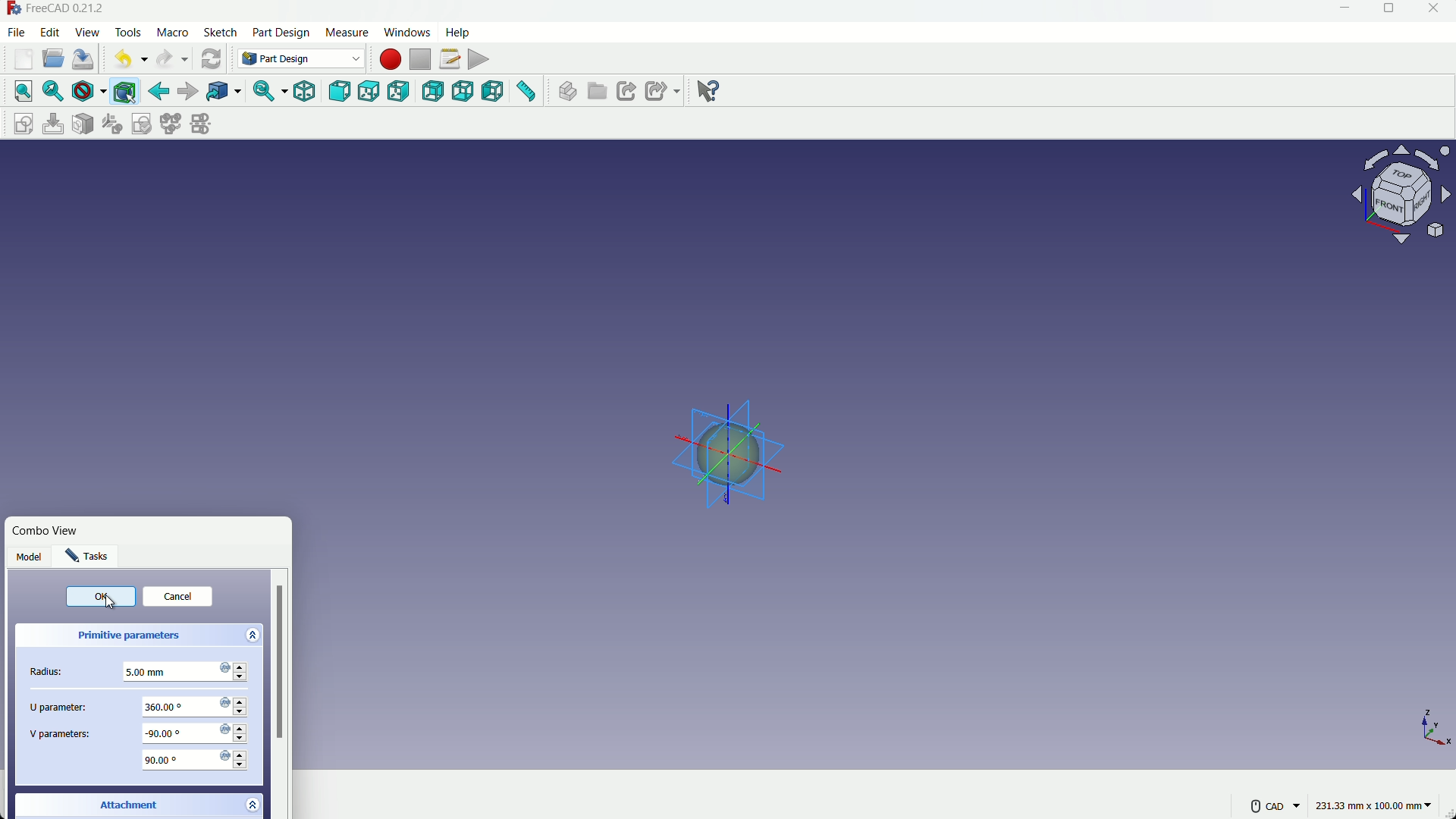 The image size is (1456, 819). What do you see at coordinates (49, 703) in the screenshot?
I see `U parameter :` at bounding box center [49, 703].